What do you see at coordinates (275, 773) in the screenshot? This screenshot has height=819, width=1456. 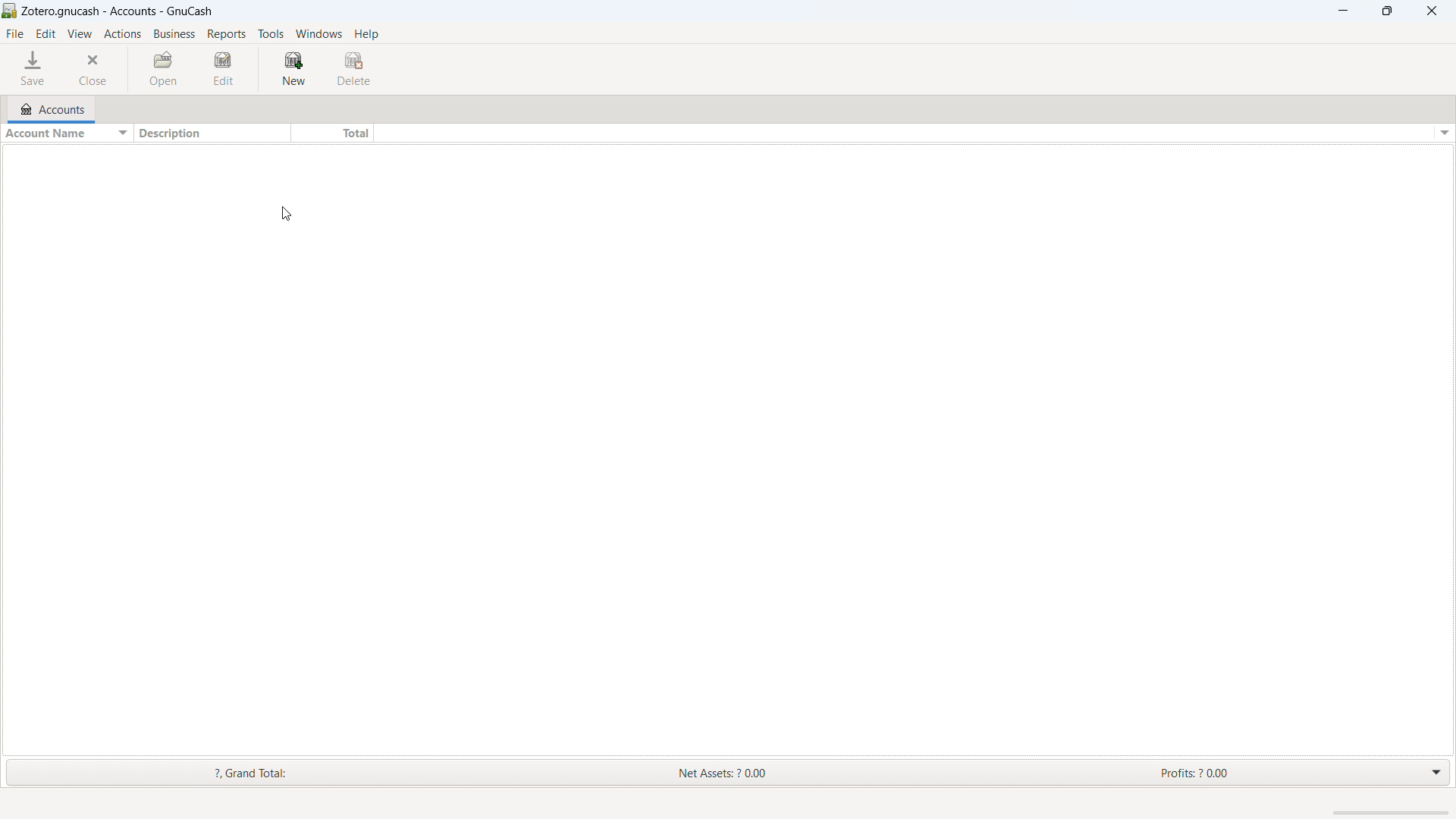 I see ` Grand Total:` at bounding box center [275, 773].